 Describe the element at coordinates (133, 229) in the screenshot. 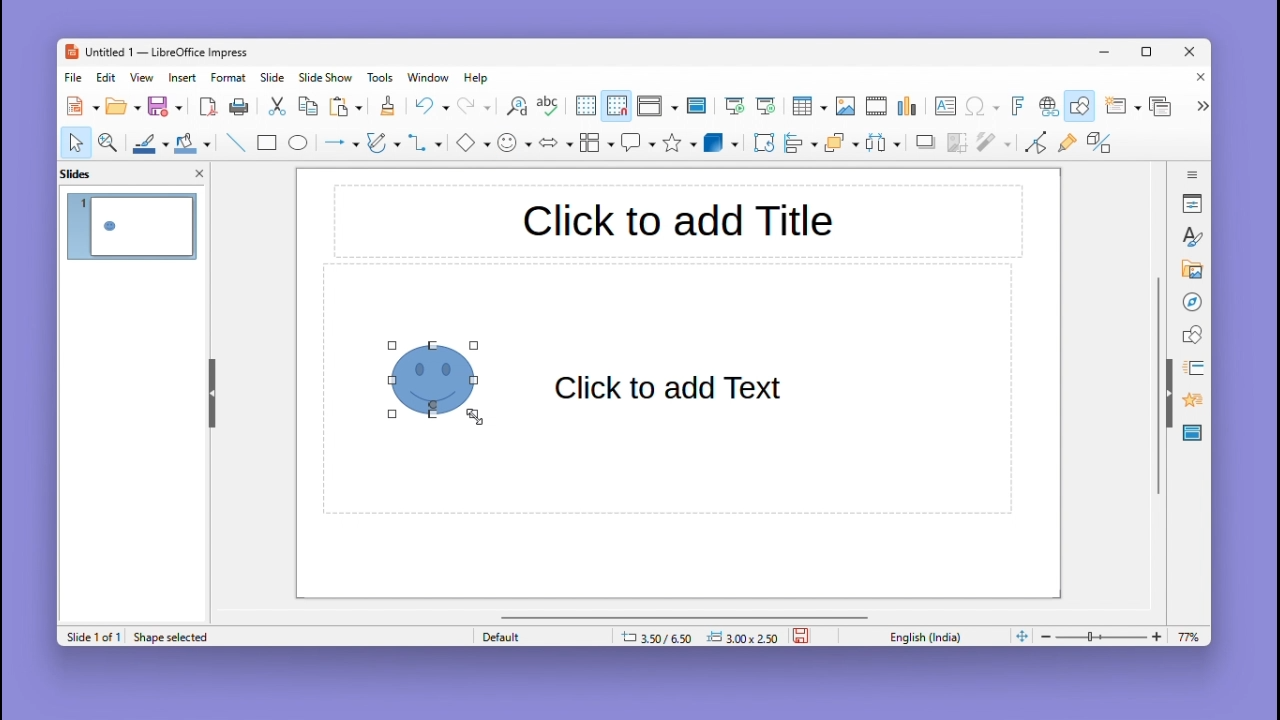

I see `current slide` at that location.